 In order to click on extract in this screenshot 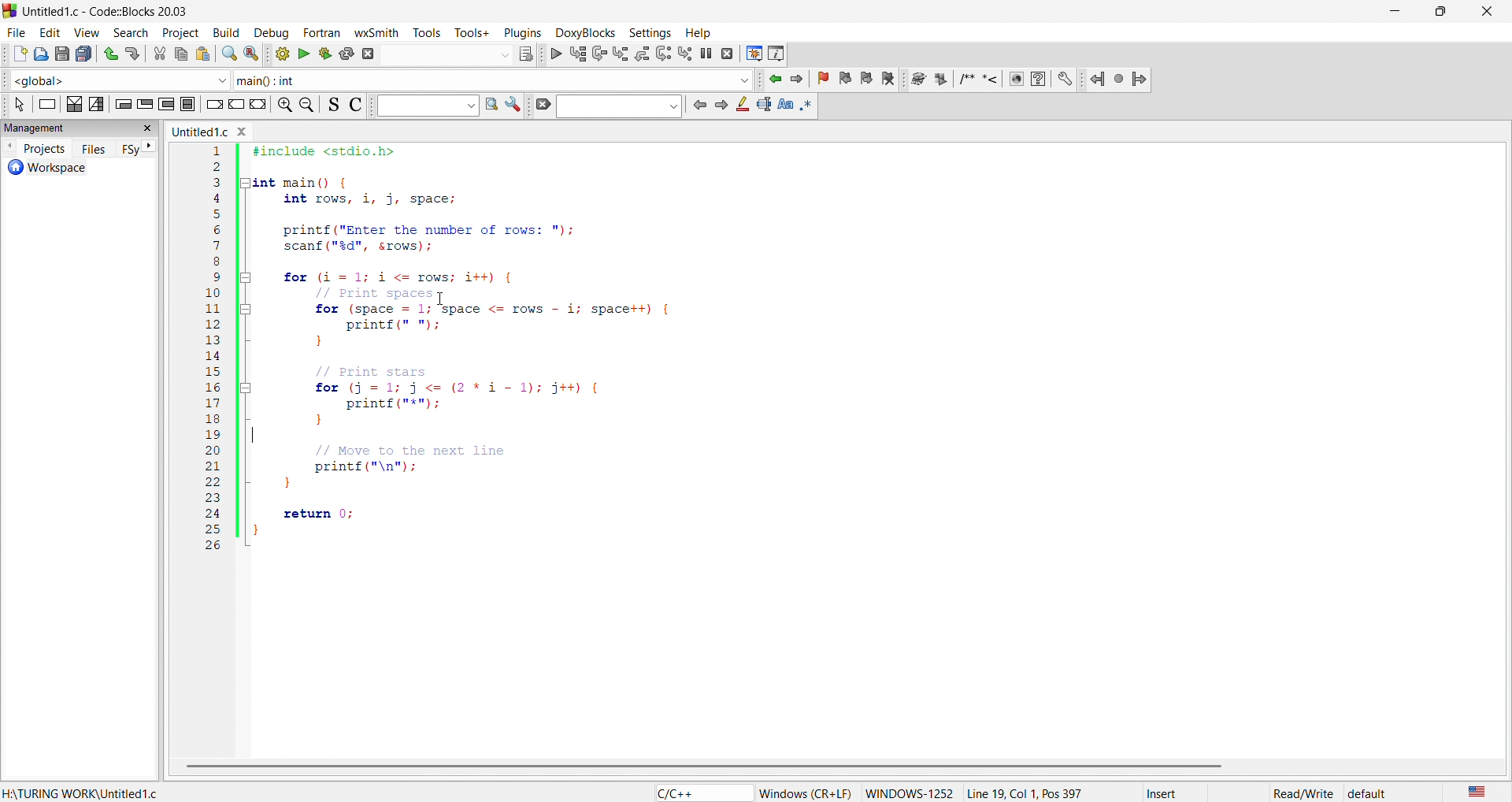, I will do `click(942, 80)`.